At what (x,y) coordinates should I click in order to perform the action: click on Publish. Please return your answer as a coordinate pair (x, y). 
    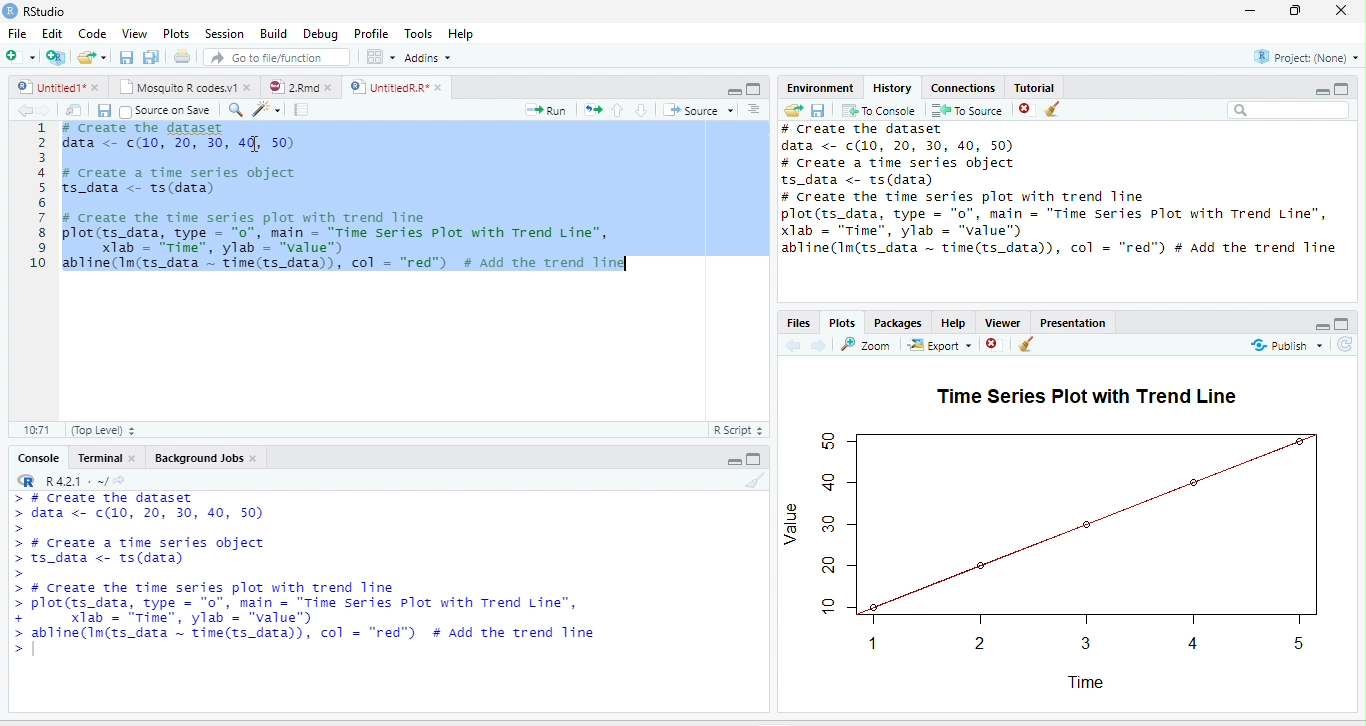
    Looking at the image, I should click on (1287, 345).